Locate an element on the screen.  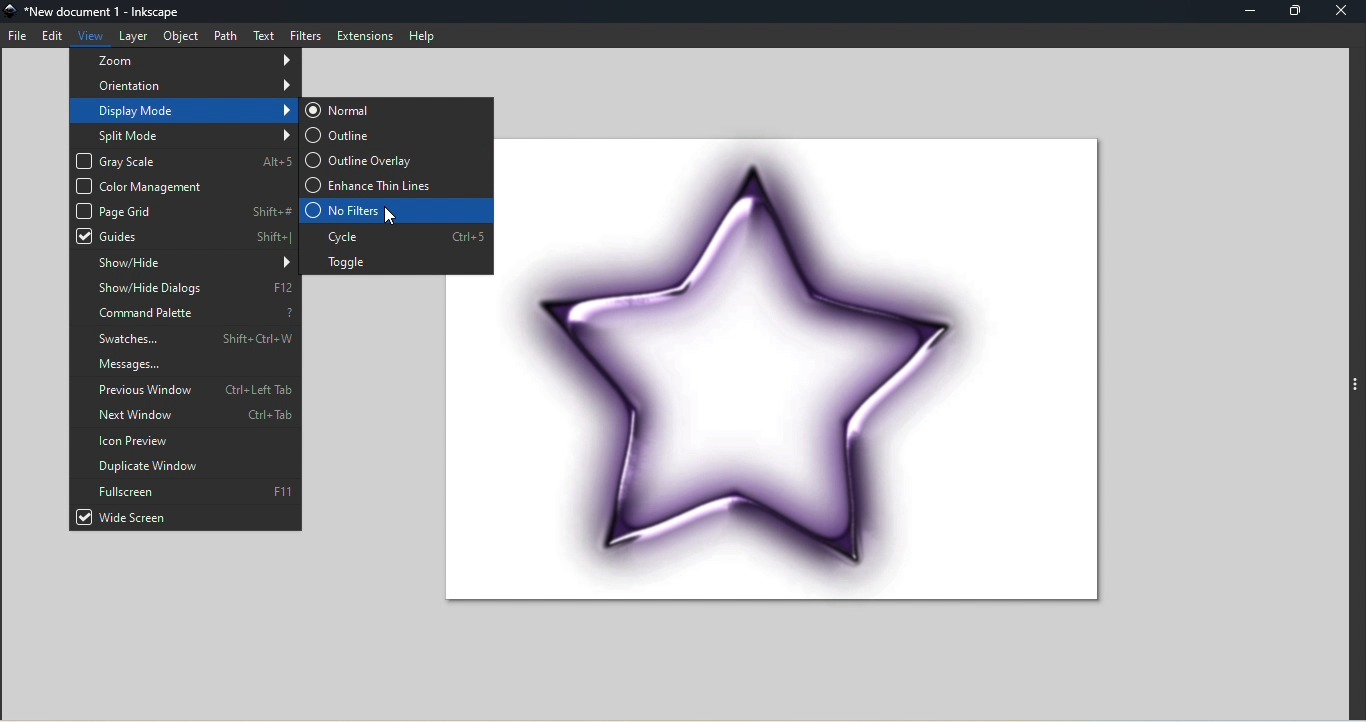
Minimize is located at coordinates (1252, 12).